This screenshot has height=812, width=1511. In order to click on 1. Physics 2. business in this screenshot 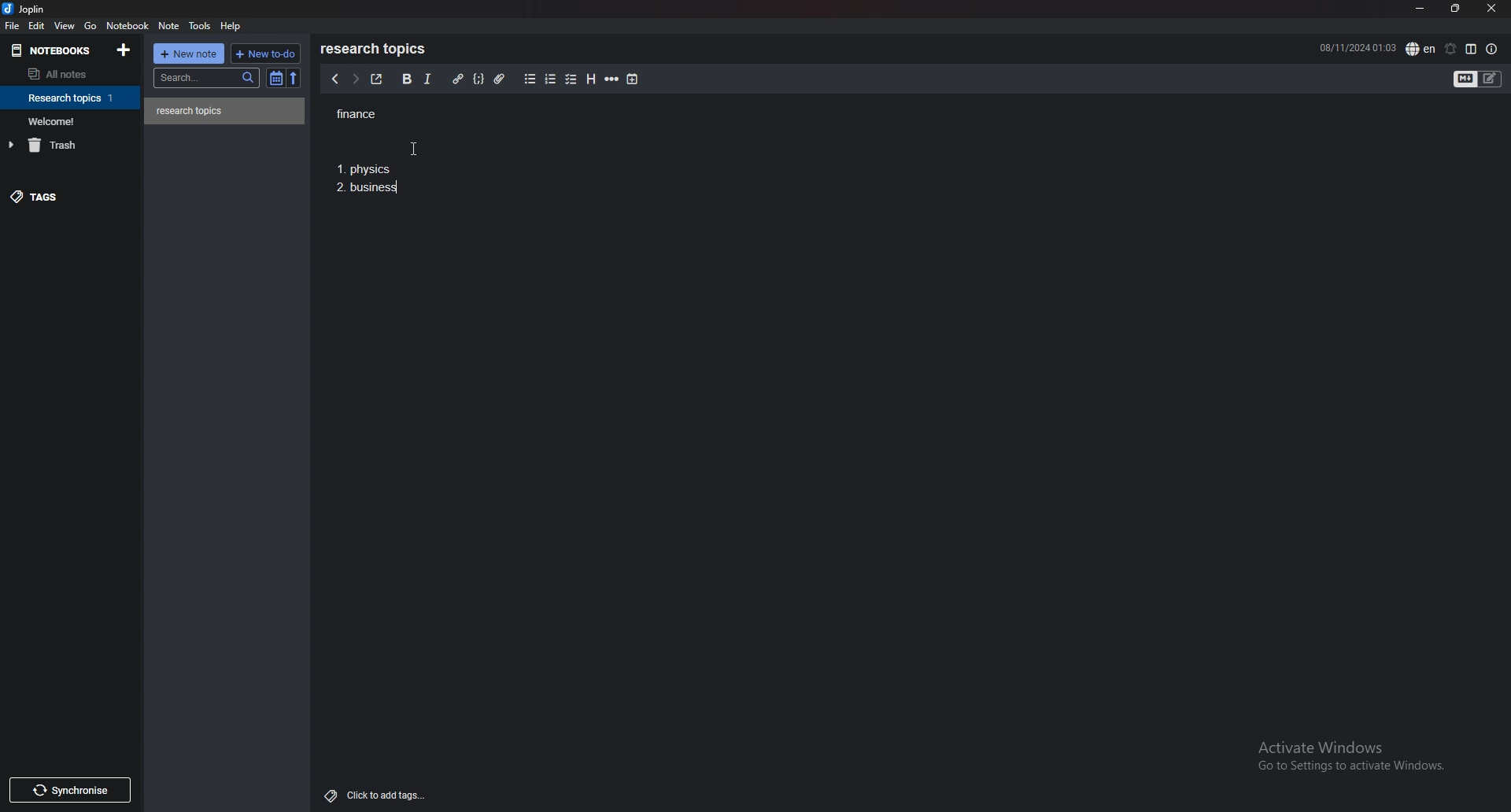, I will do `click(365, 183)`.